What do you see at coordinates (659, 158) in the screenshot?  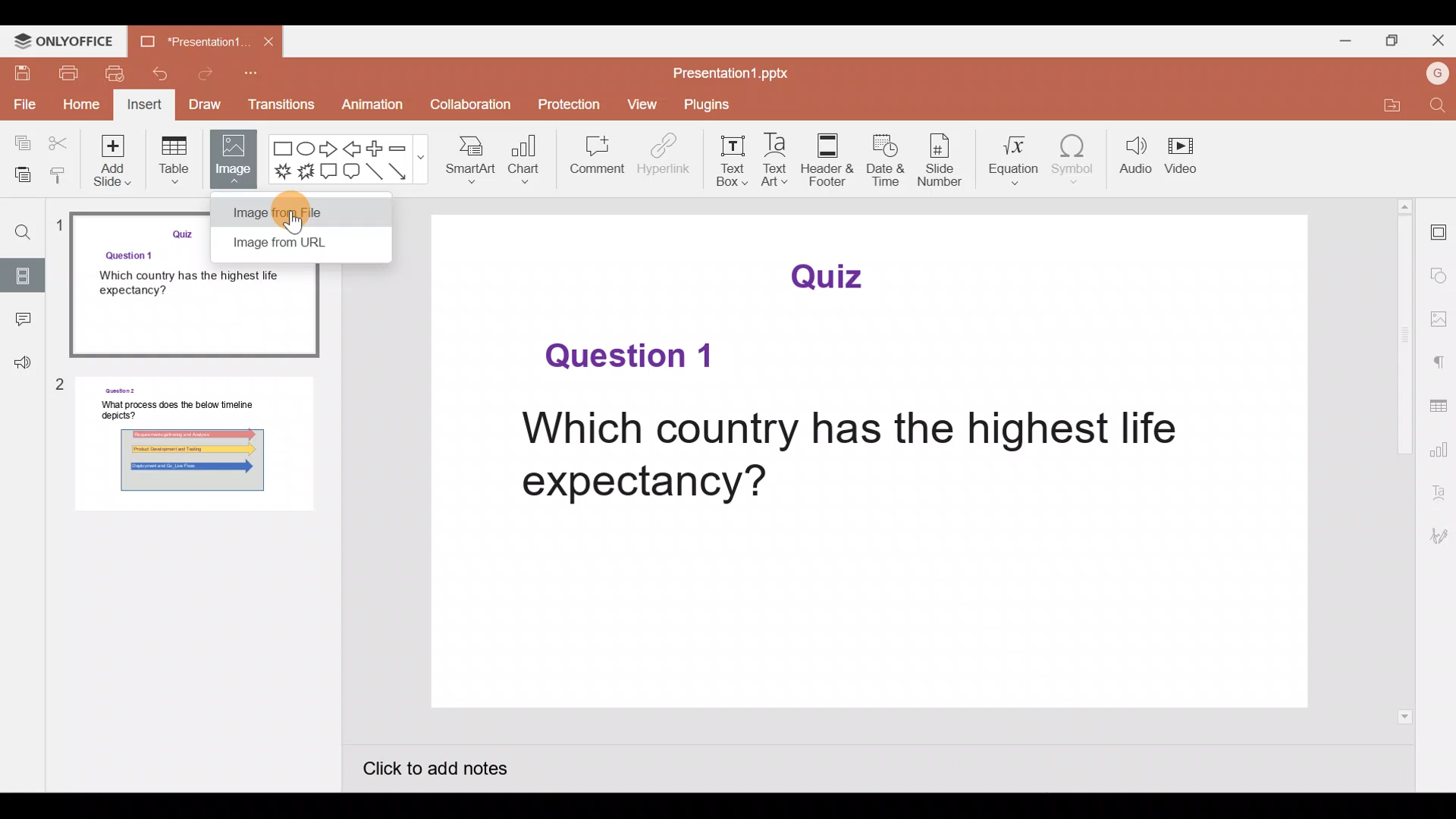 I see `Hyperlink` at bounding box center [659, 158].